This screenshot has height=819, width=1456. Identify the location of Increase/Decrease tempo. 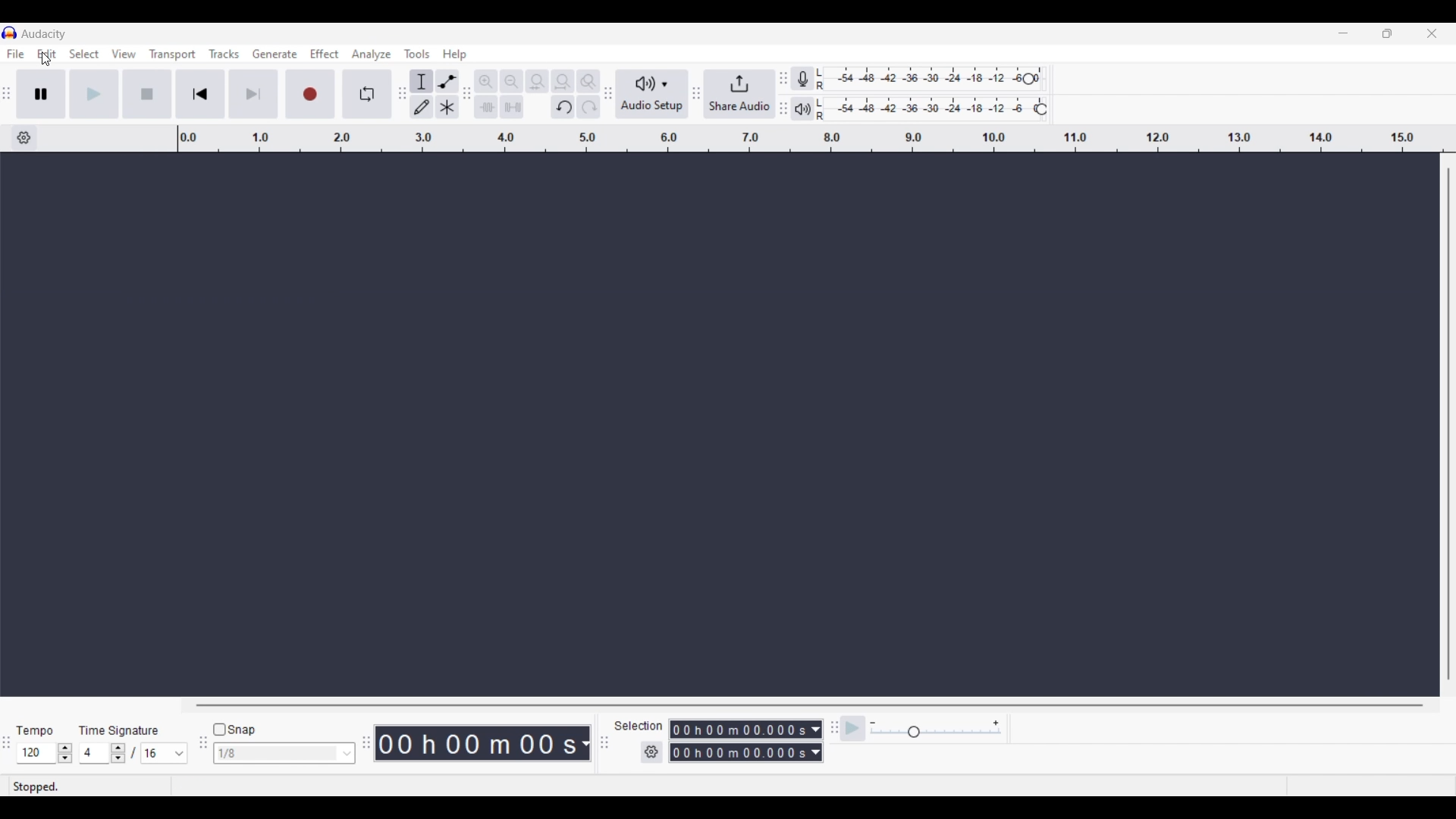
(65, 753).